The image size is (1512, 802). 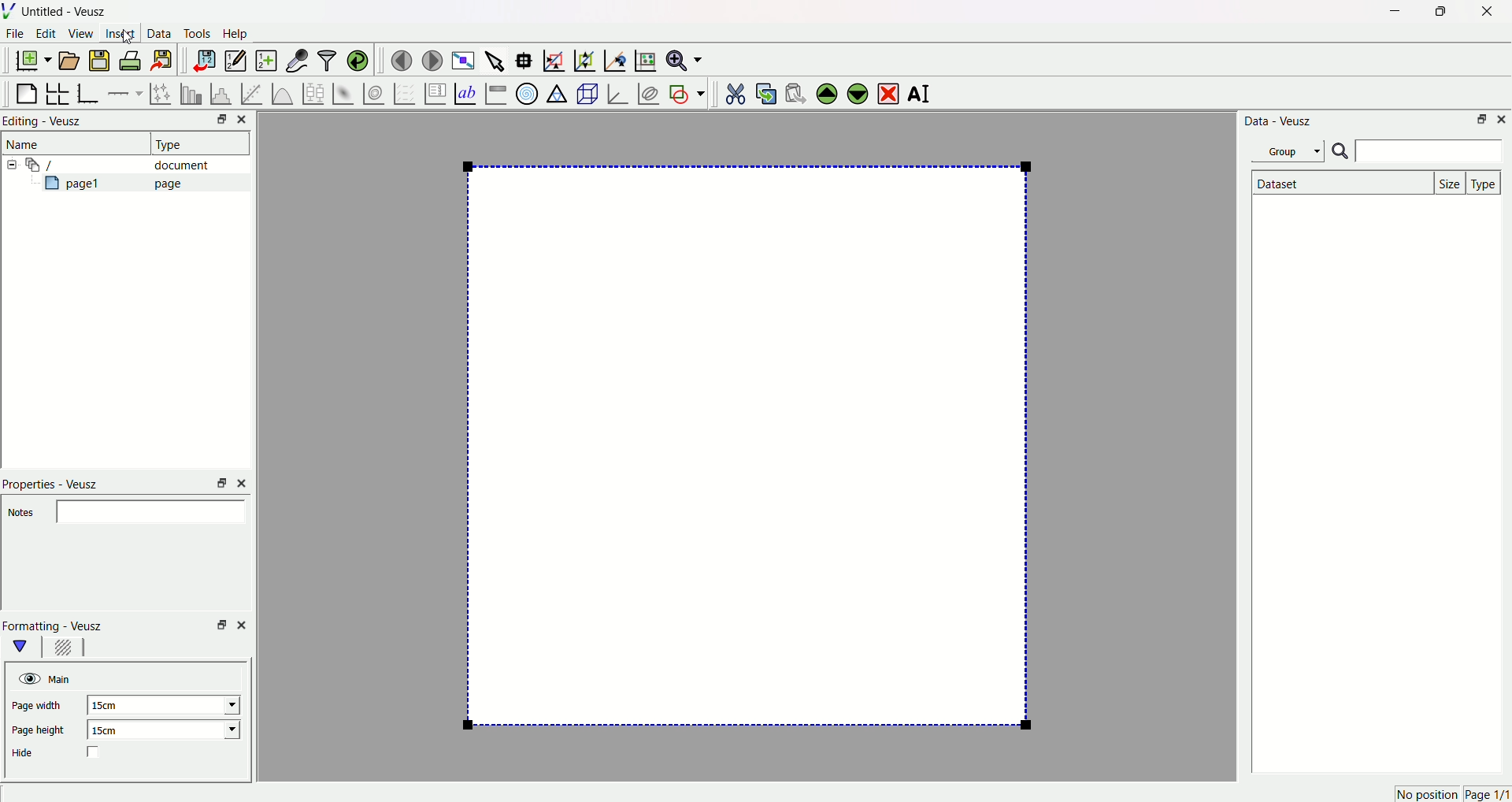 What do you see at coordinates (250, 92) in the screenshot?
I see `fit a function` at bounding box center [250, 92].